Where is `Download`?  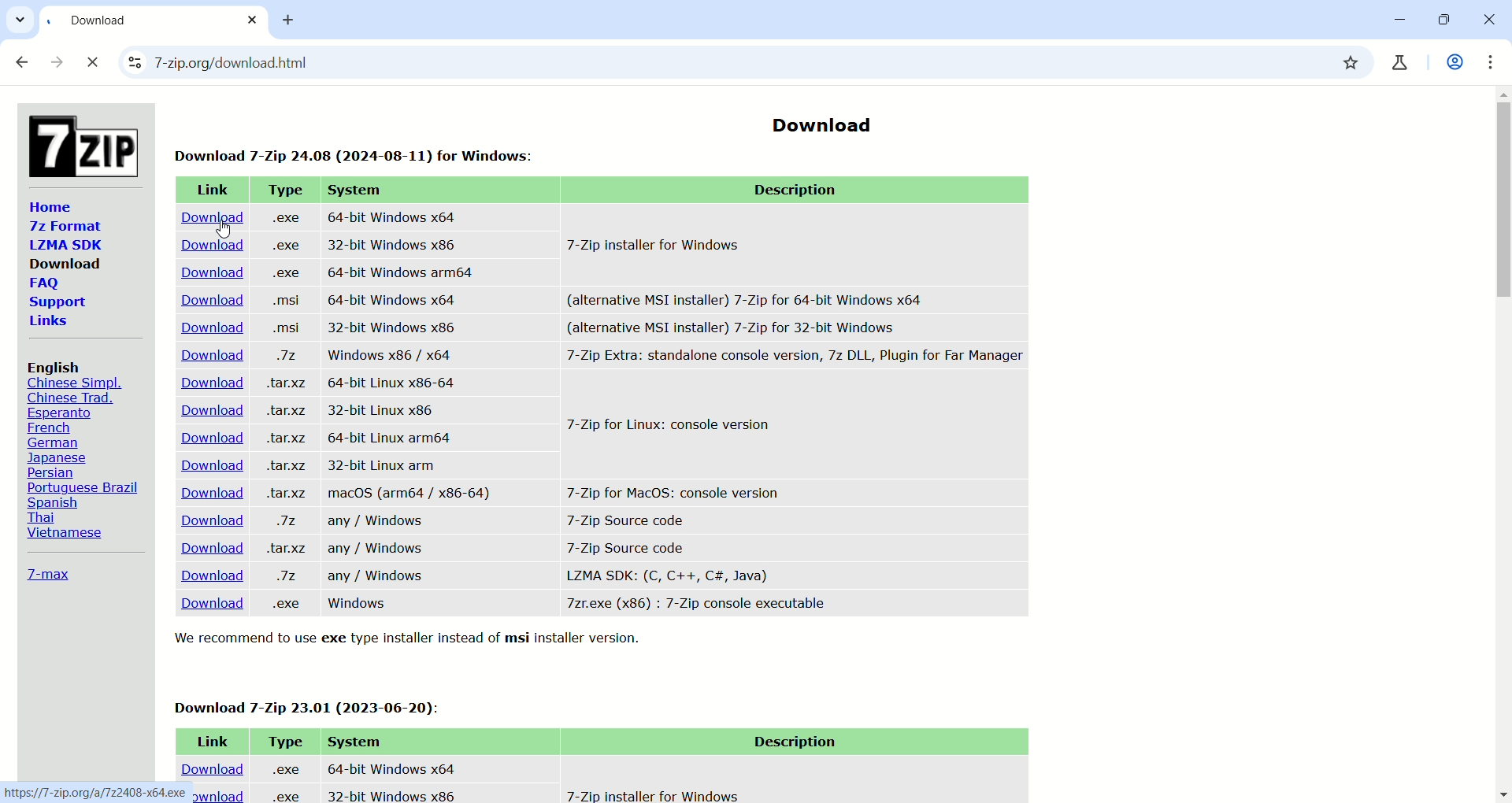
Download is located at coordinates (202, 327).